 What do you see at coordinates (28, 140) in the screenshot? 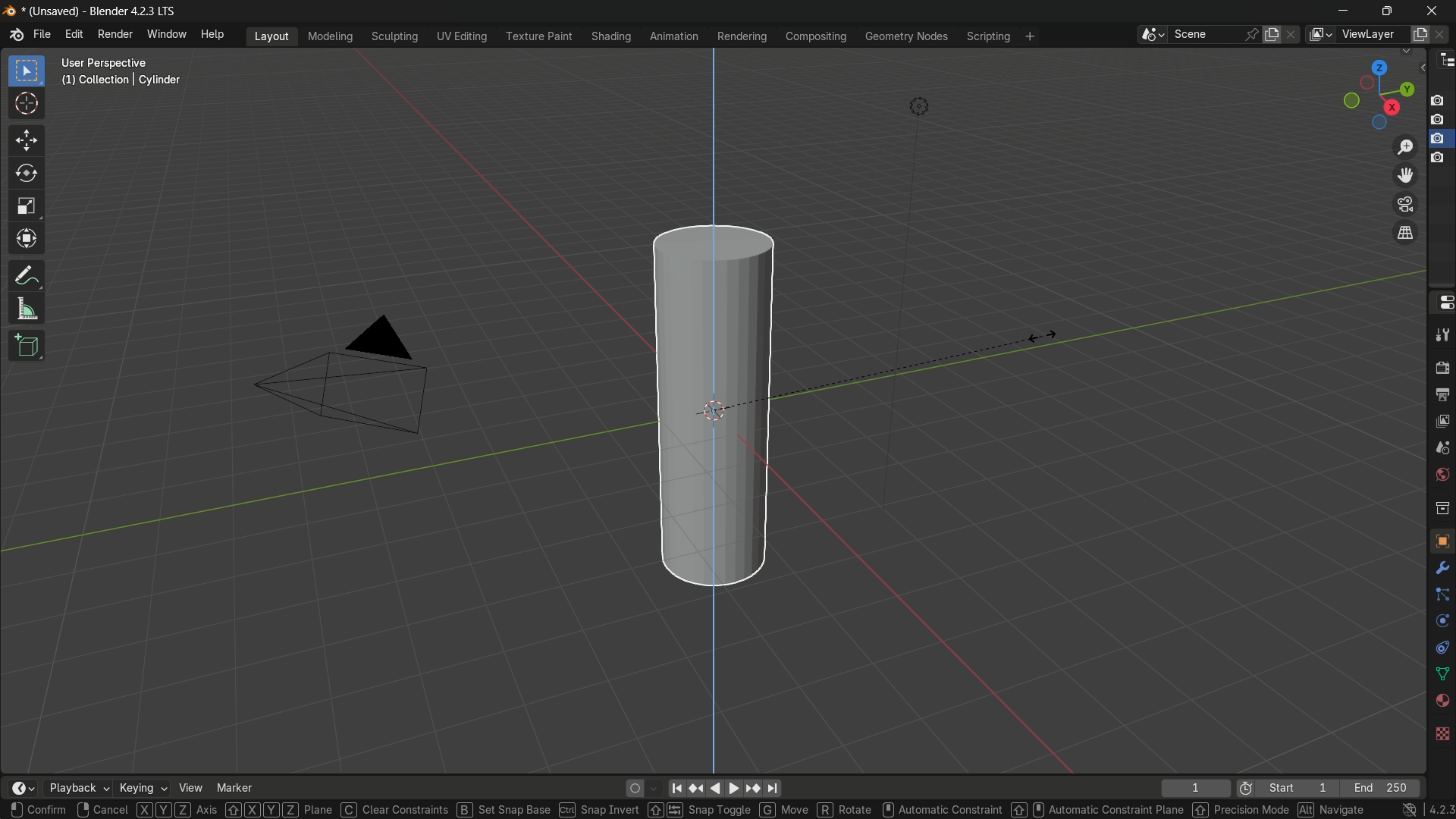
I see `move` at bounding box center [28, 140].